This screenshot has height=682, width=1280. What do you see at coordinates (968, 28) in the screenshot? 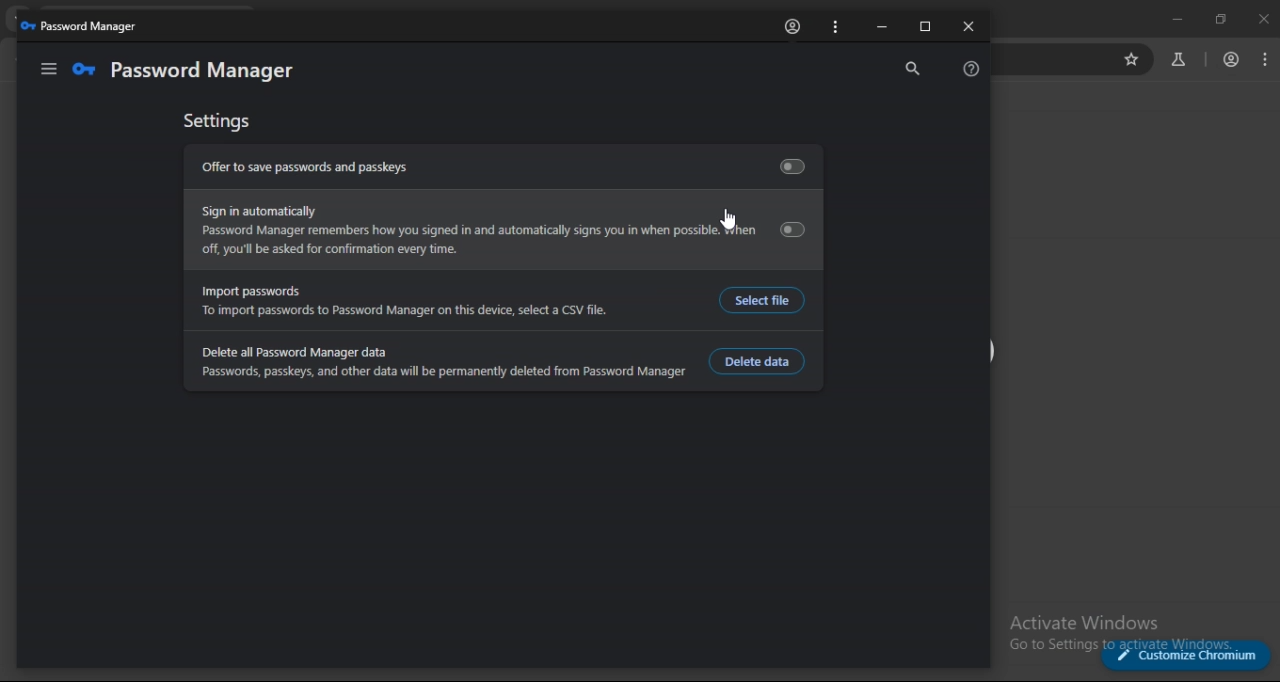
I see `close` at bounding box center [968, 28].